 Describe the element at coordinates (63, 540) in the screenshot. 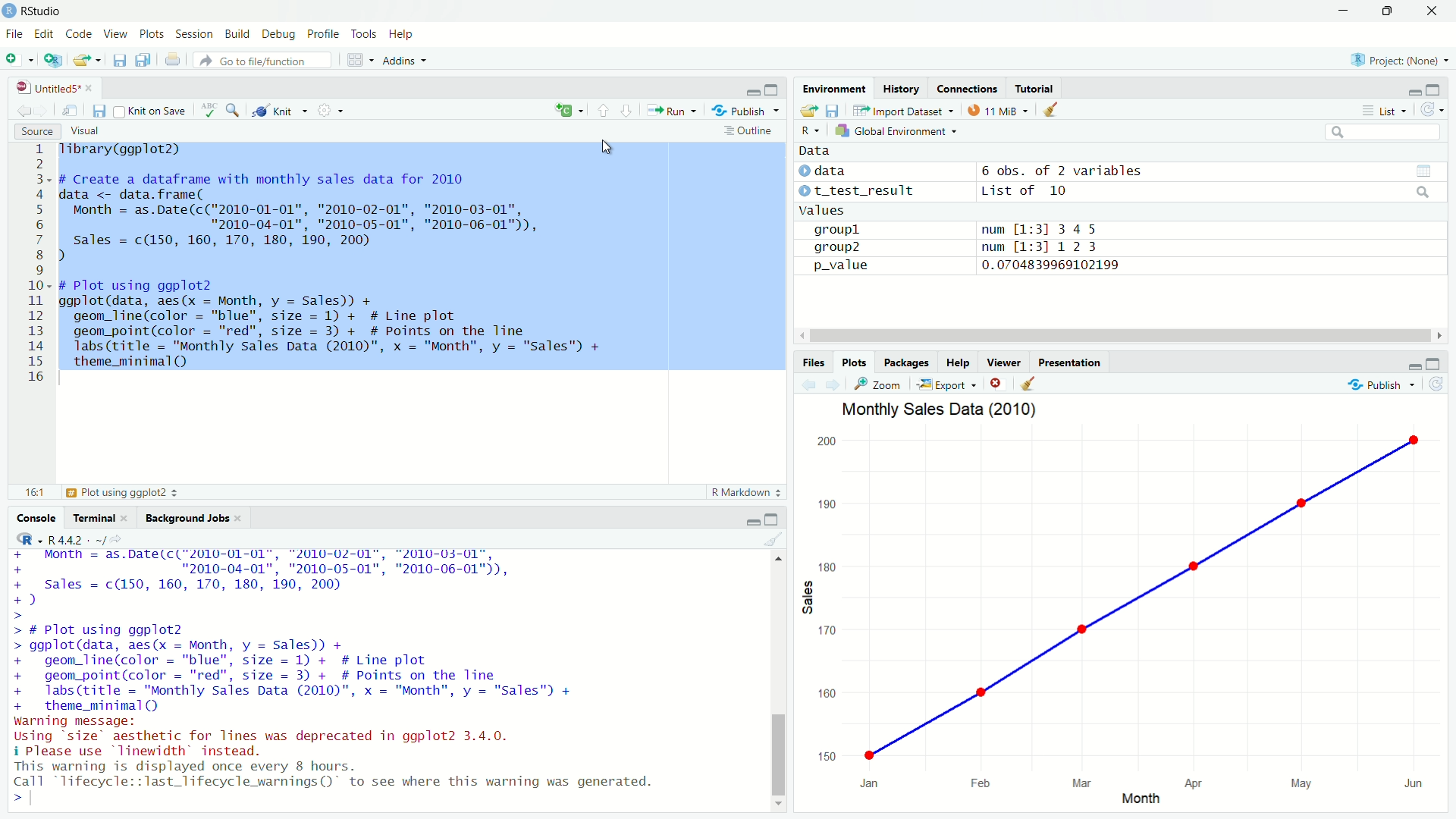

I see `@R -R442- ~/` at that location.